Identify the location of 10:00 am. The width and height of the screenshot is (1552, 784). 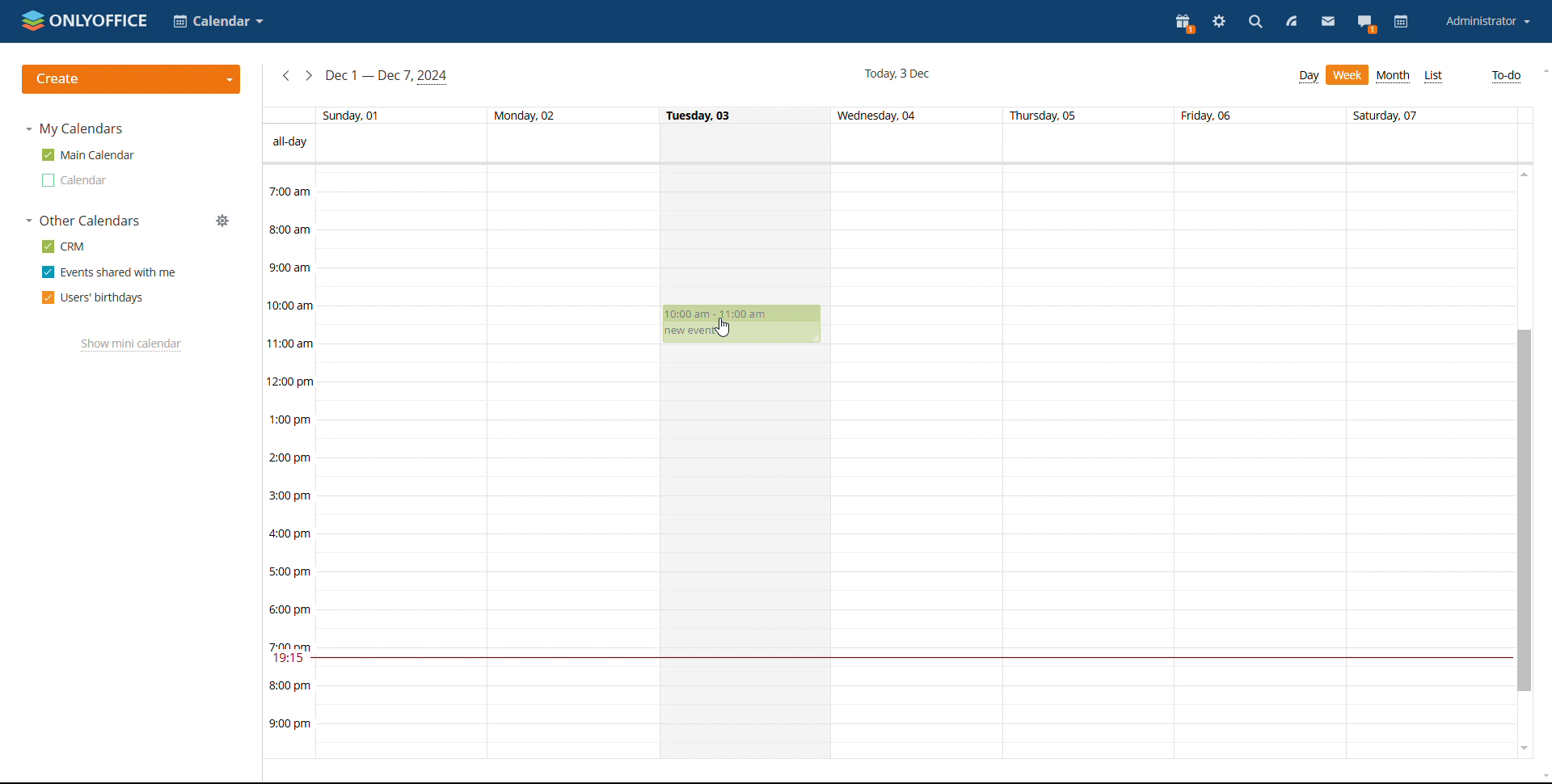
(293, 306).